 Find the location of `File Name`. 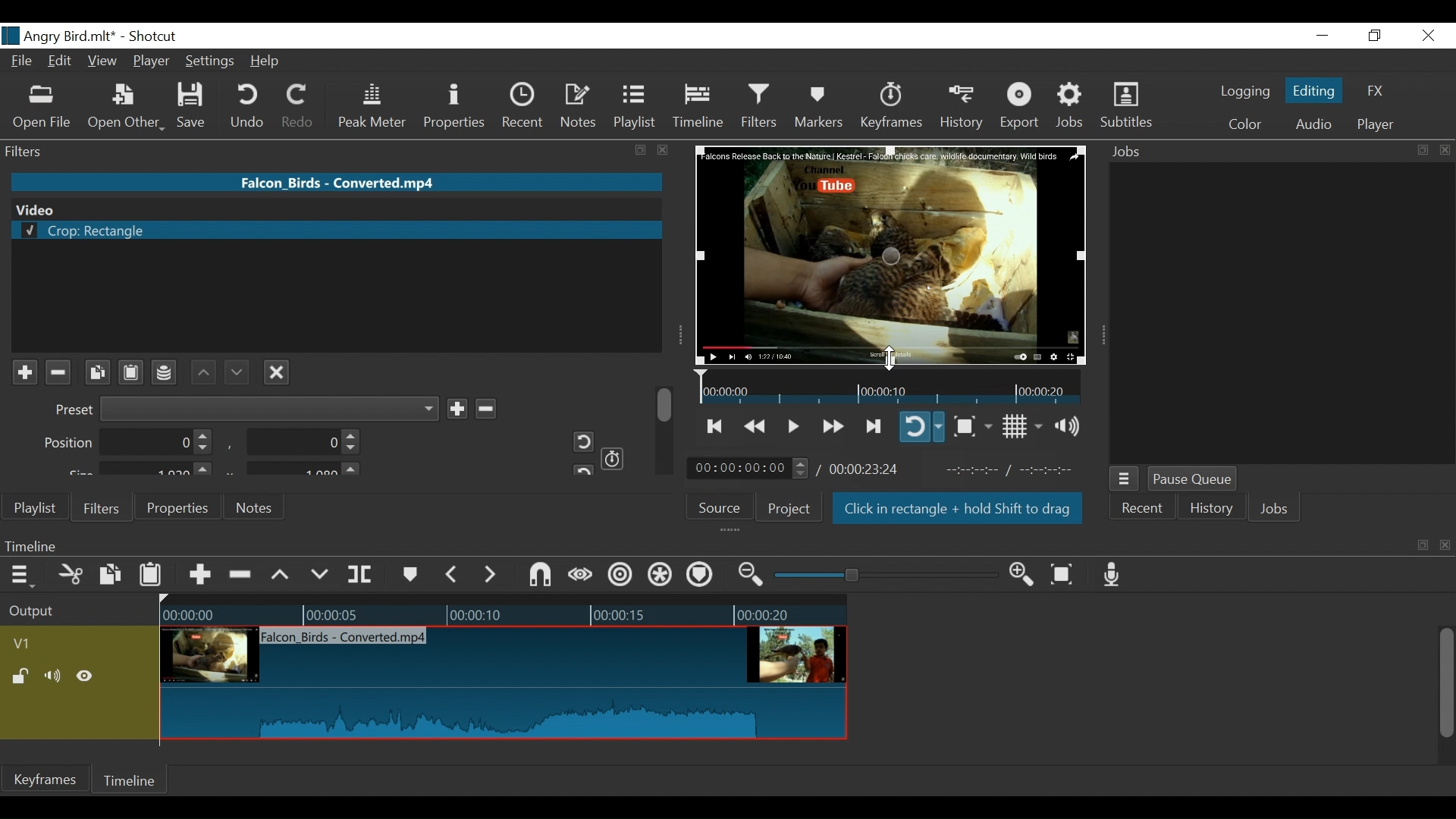

File Name is located at coordinates (24, 63).